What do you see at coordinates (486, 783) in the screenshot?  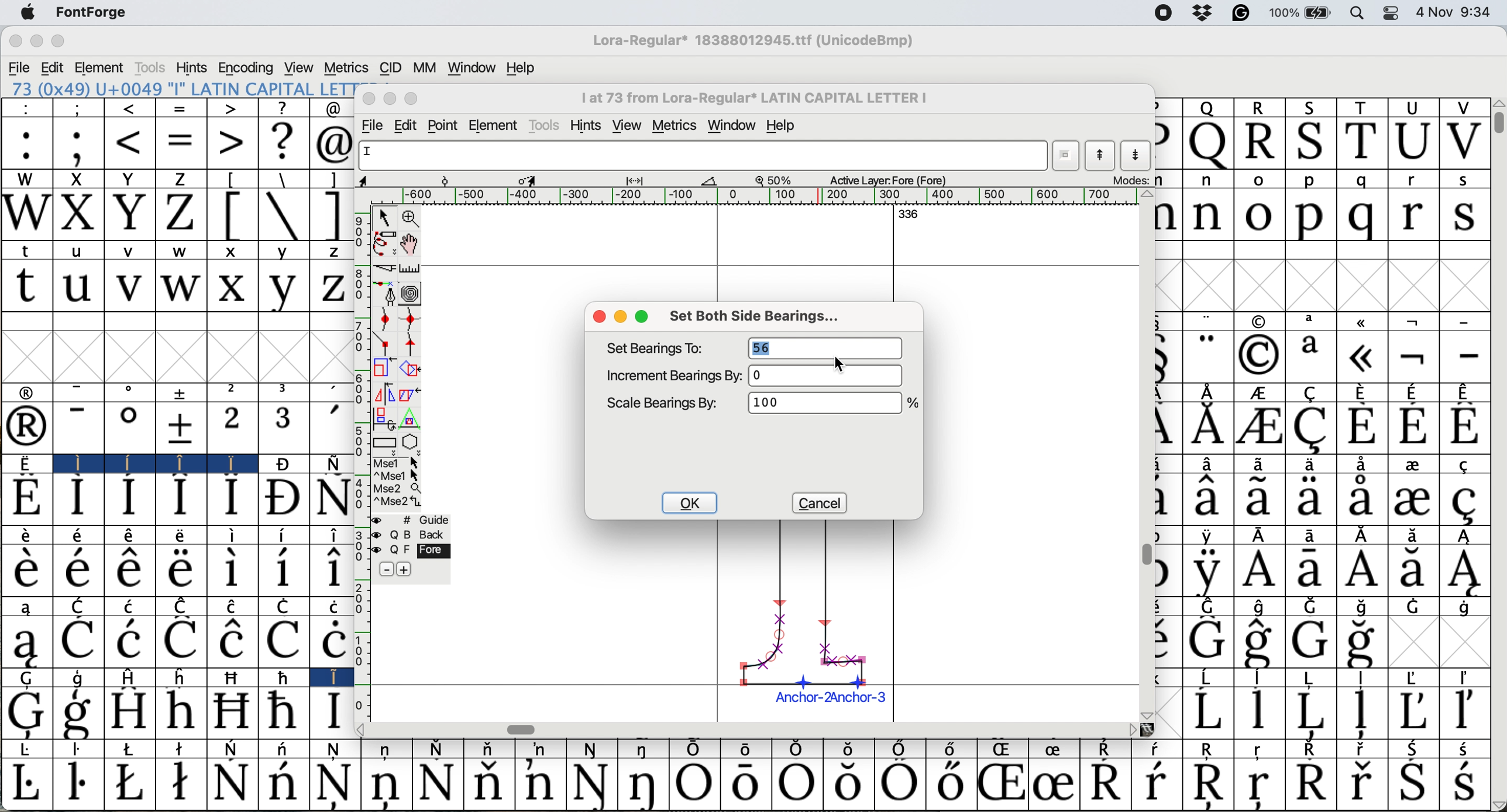 I see `Symbol` at bounding box center [486, 783].